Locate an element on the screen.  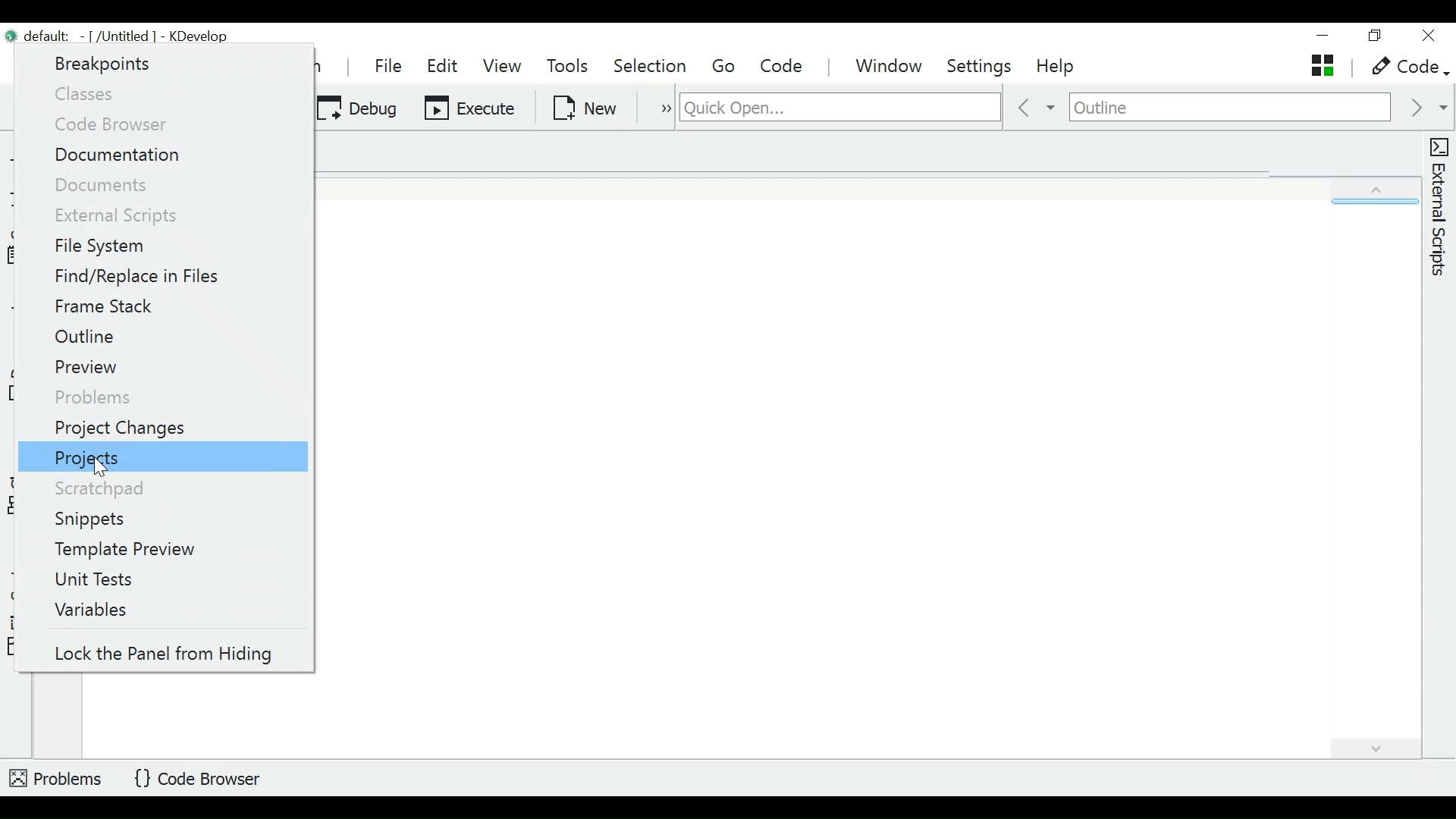
View is located at coordinates (503, 66).